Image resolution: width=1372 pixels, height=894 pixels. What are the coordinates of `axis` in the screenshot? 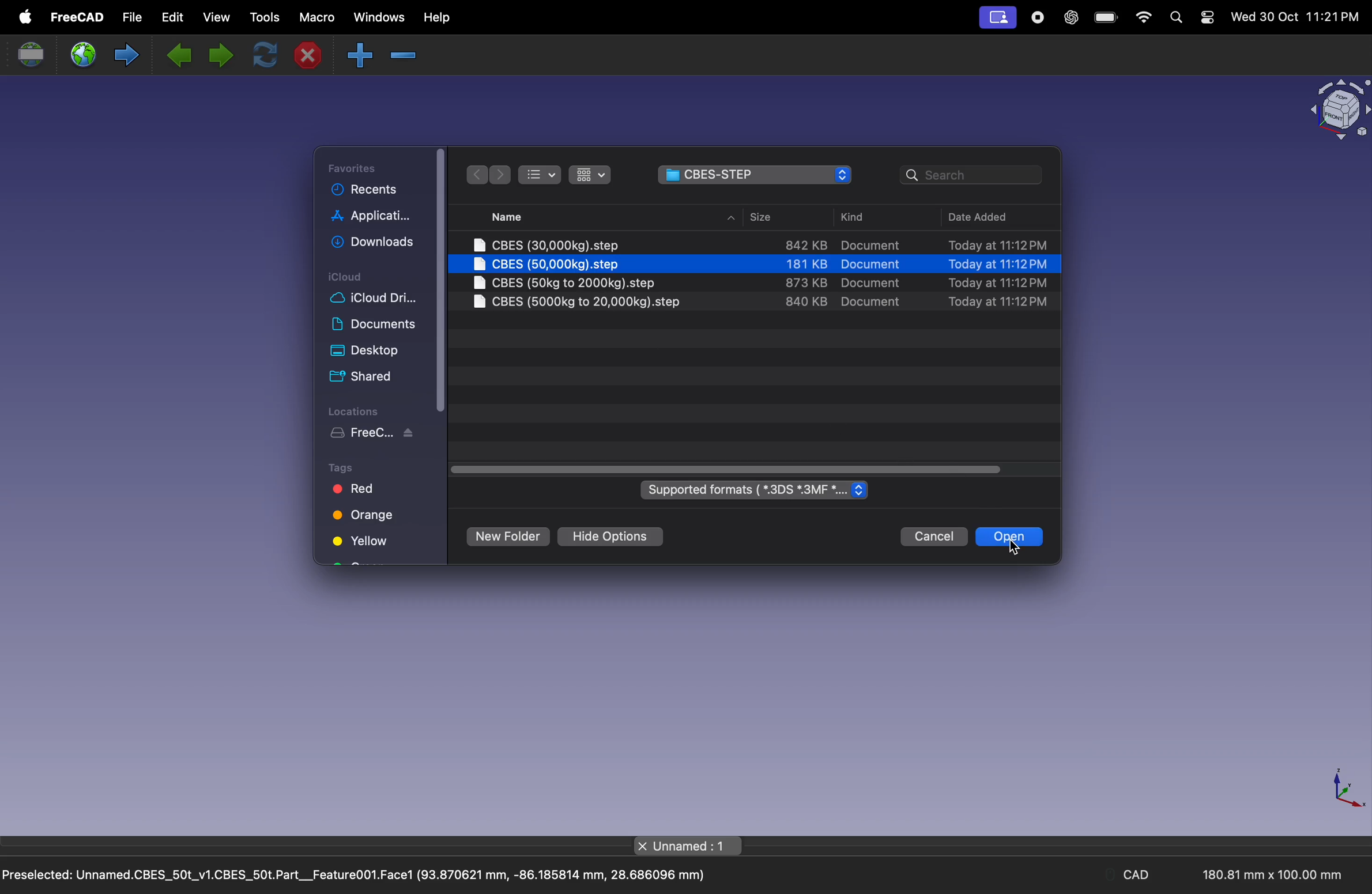 It's located at (1342, 790).